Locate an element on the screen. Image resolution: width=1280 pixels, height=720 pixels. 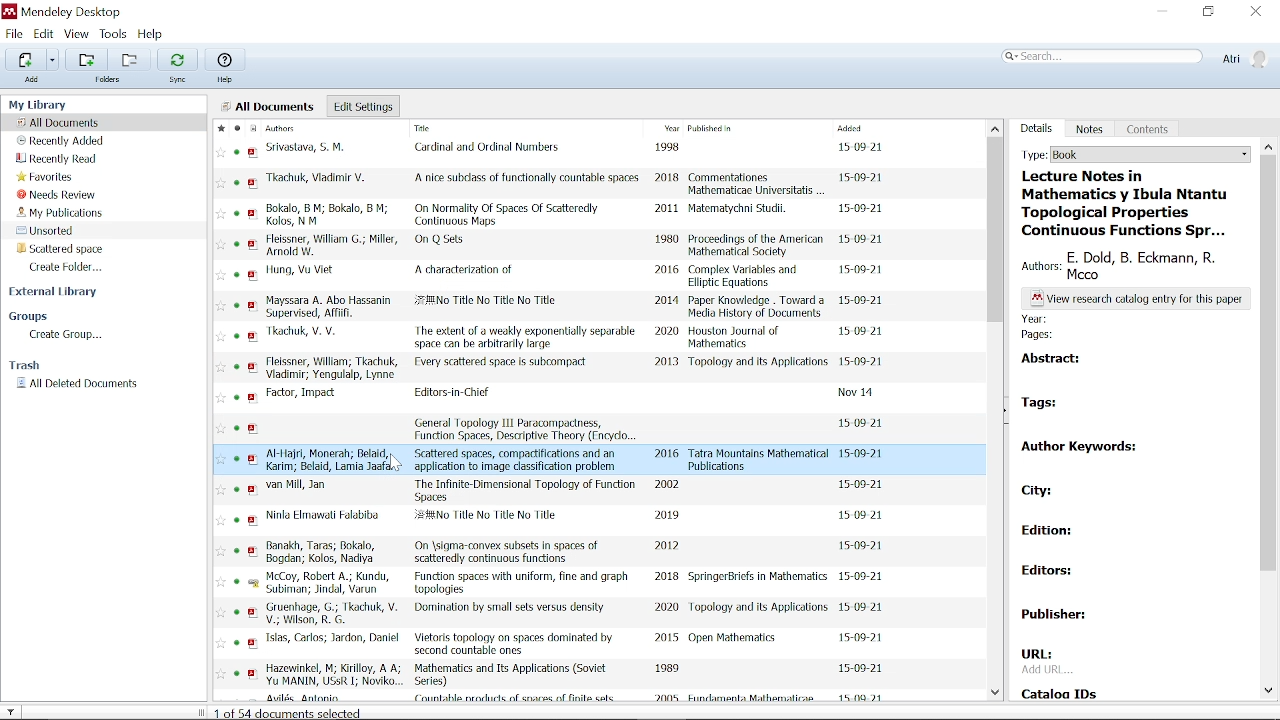
File is located at coordinates (14, 33).